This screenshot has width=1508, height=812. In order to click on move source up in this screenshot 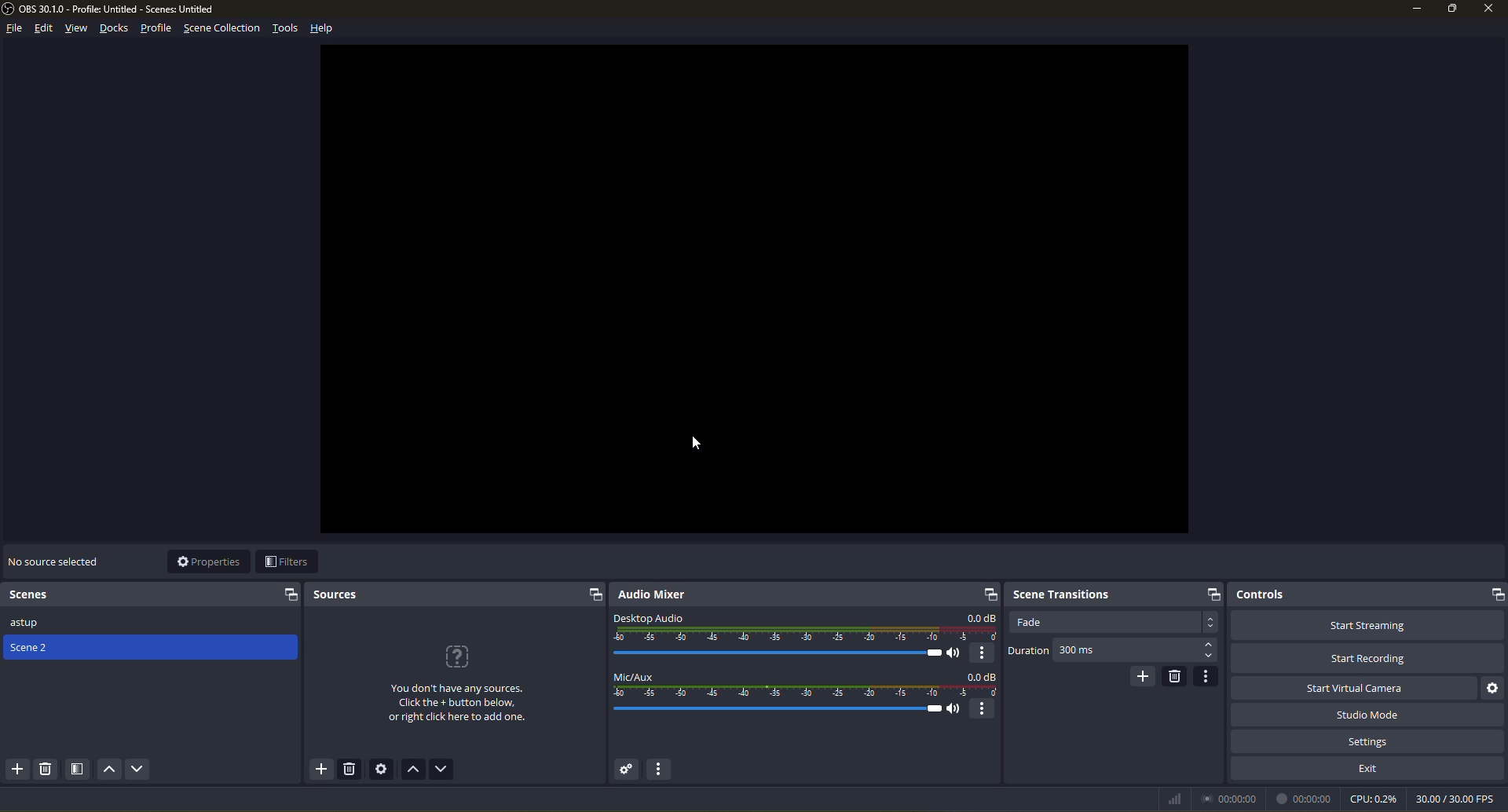, I will do `click(413, 769)`.